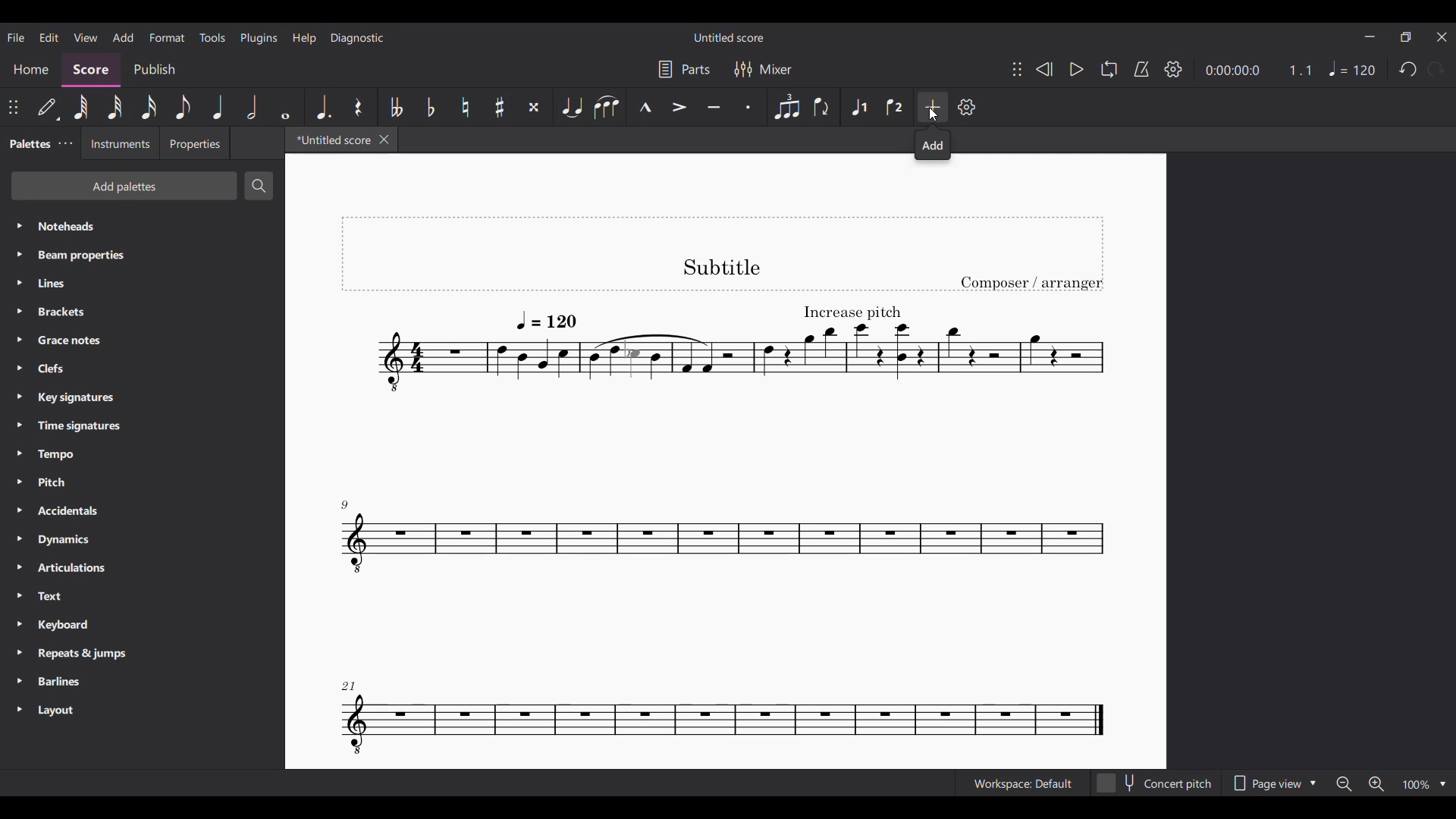 This screenshot has width=1456, height=819. I want to click on Help menu, so click(304, 39).